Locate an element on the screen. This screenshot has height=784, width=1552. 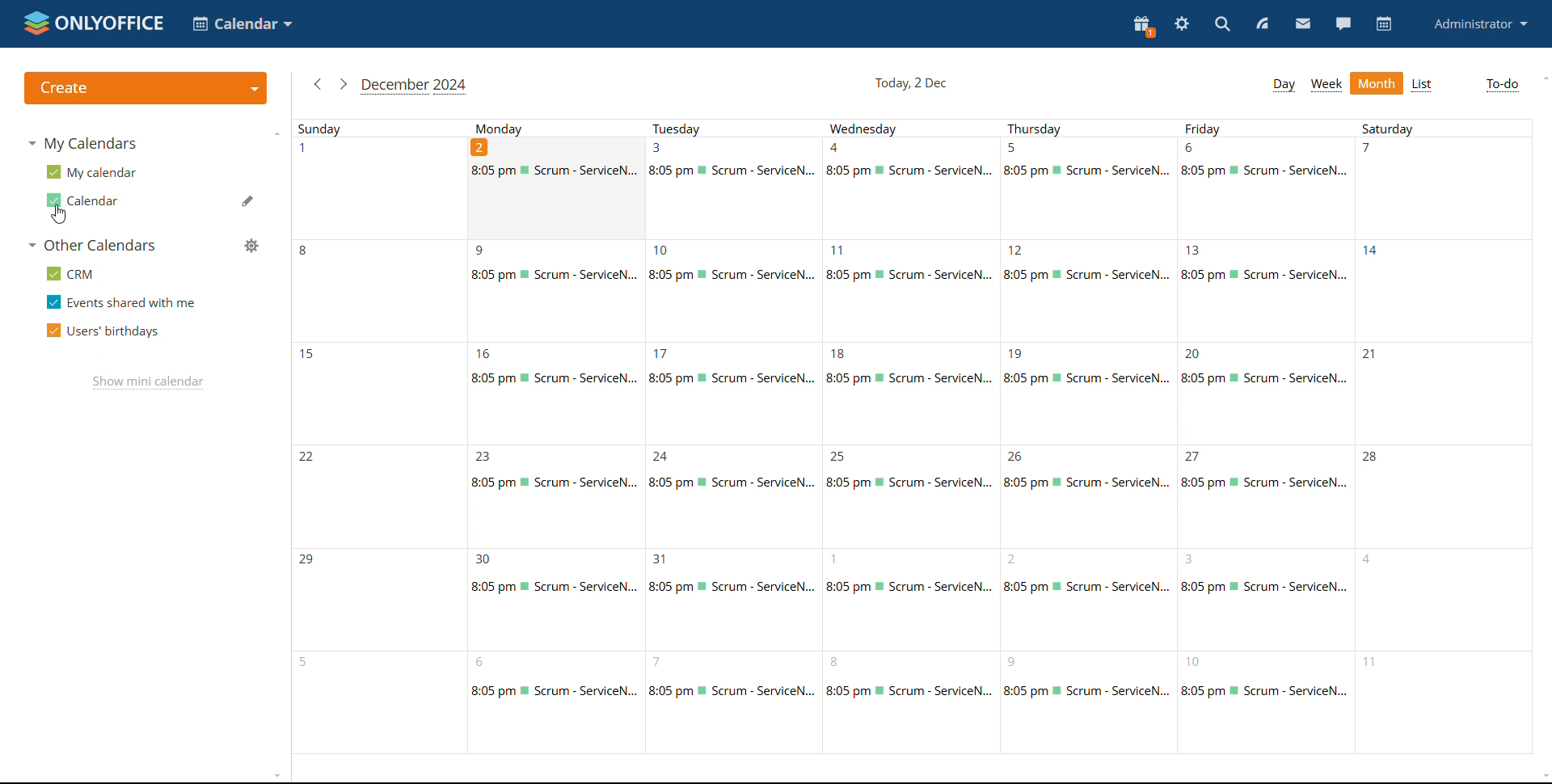
4 is located at coordinates (1440, 598).